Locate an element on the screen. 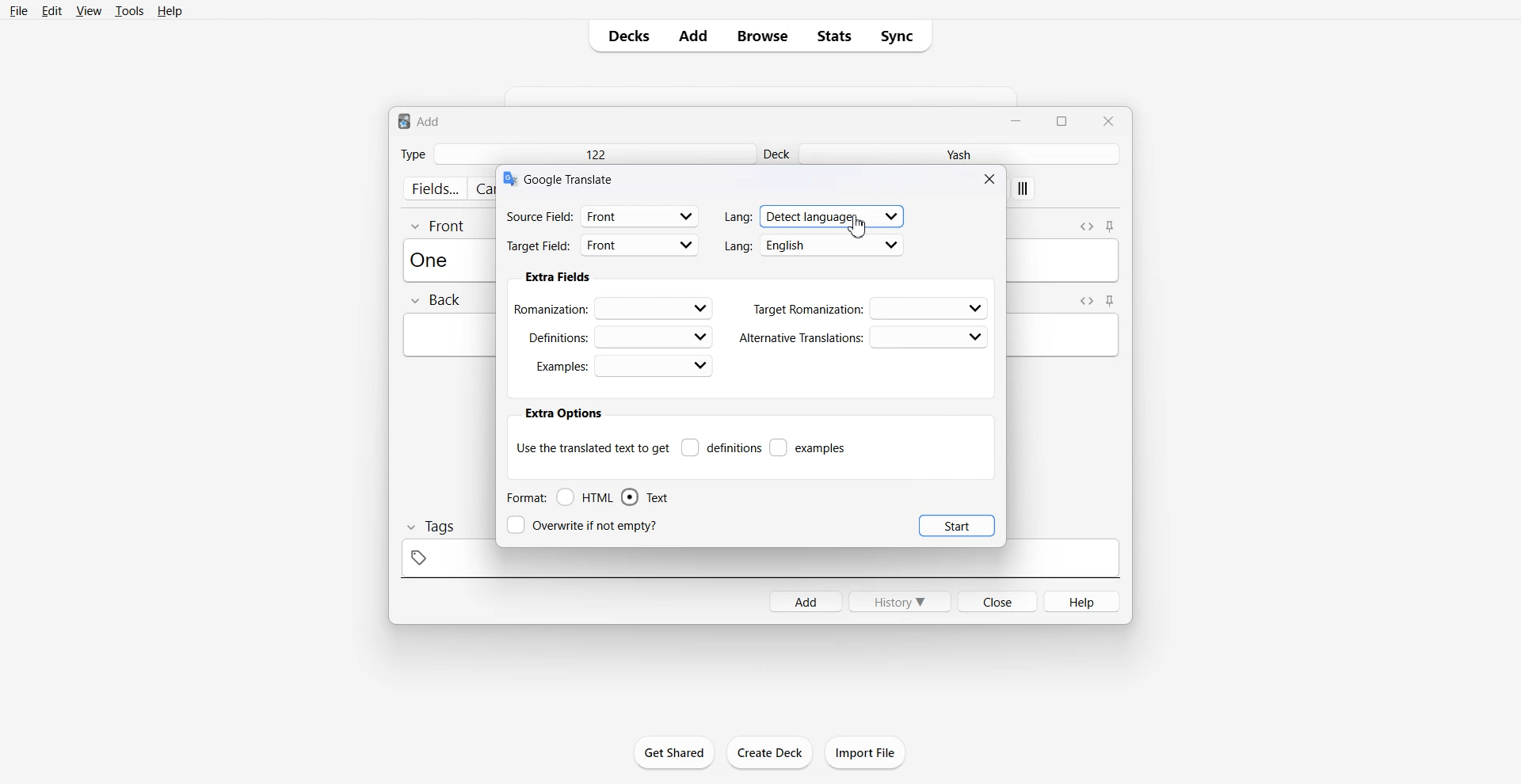 The height and width of the screenshot is (784, 1521). Front is located at coordinates (439, 225).